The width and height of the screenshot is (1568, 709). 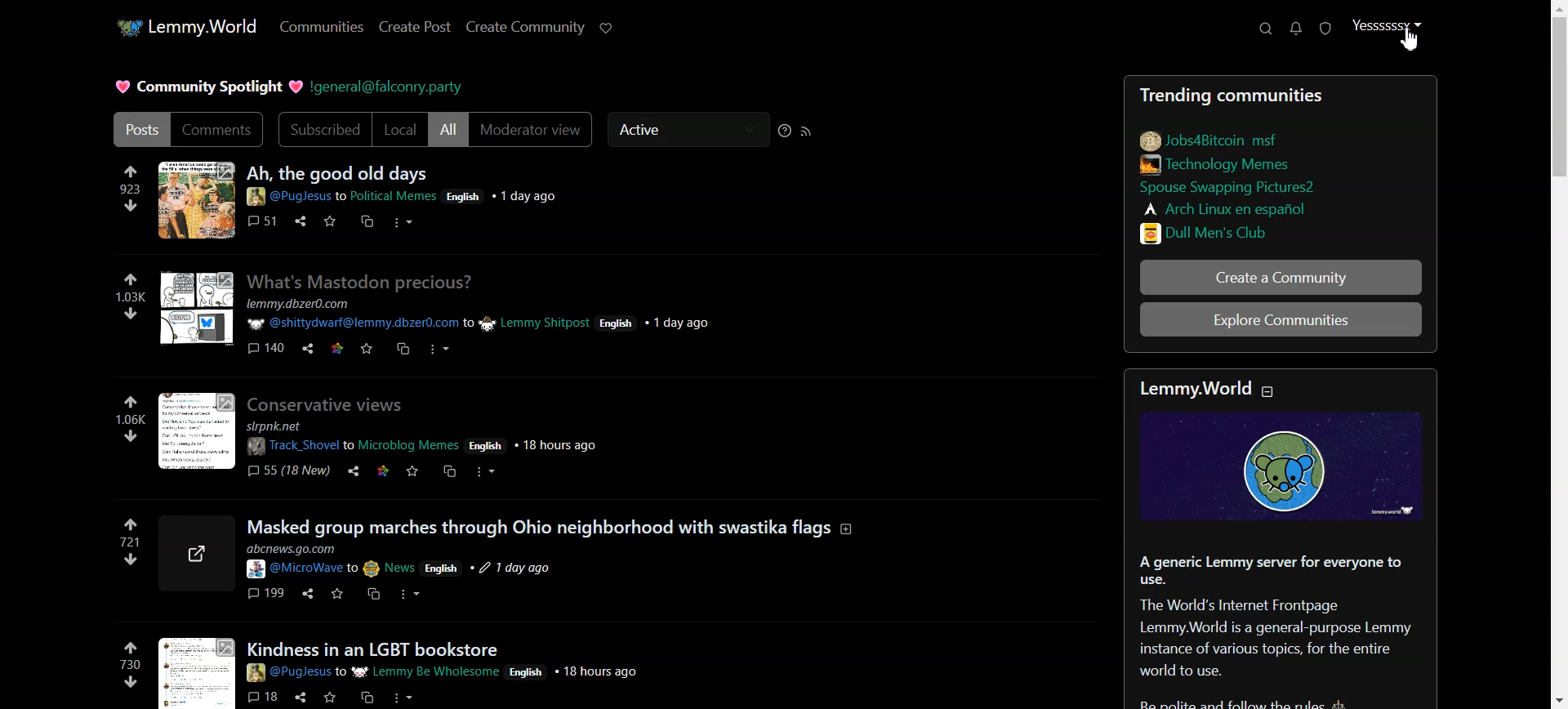 I want to click on image, so click(x=194, y=673).